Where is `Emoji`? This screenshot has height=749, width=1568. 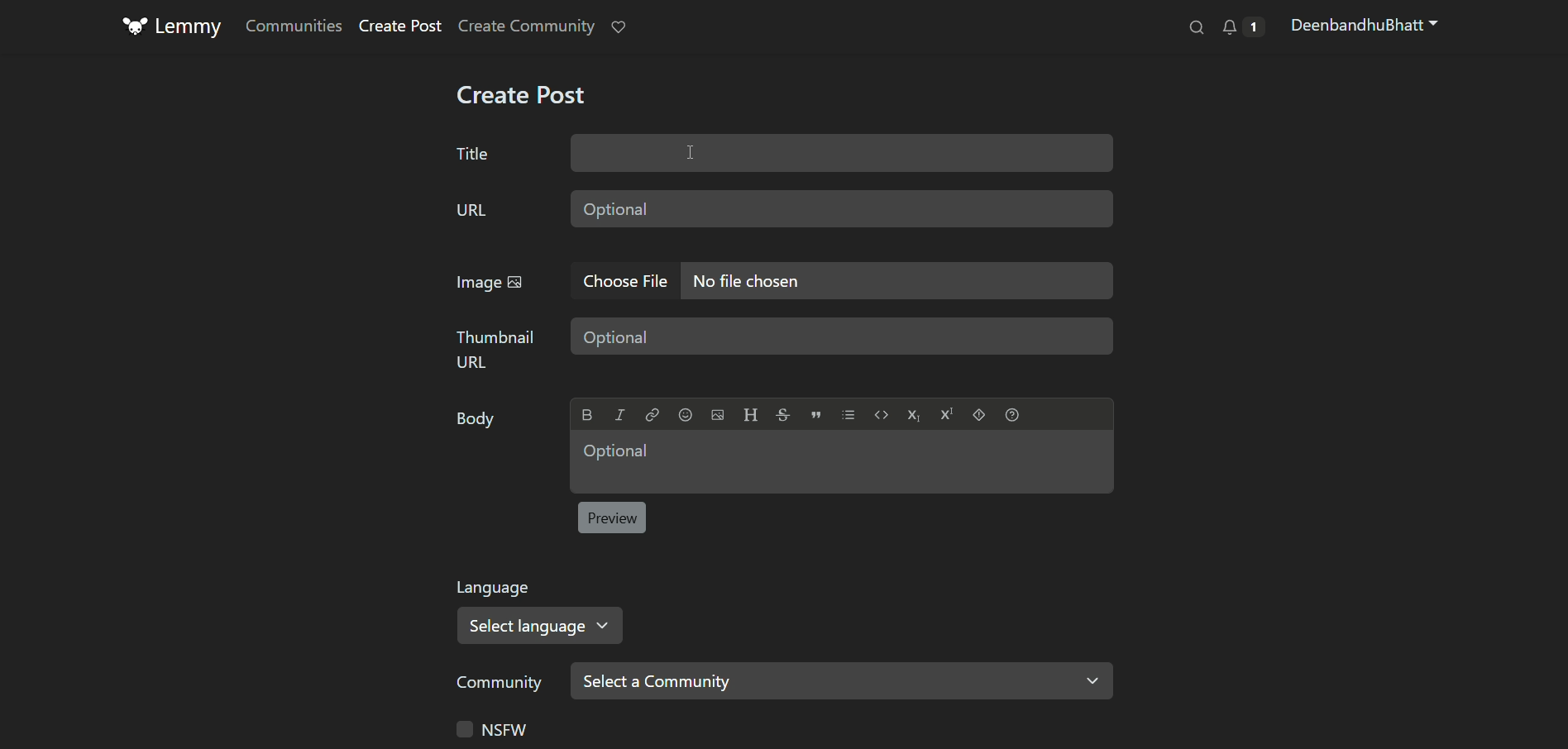 Emoji is located at coordinates (685, 415).